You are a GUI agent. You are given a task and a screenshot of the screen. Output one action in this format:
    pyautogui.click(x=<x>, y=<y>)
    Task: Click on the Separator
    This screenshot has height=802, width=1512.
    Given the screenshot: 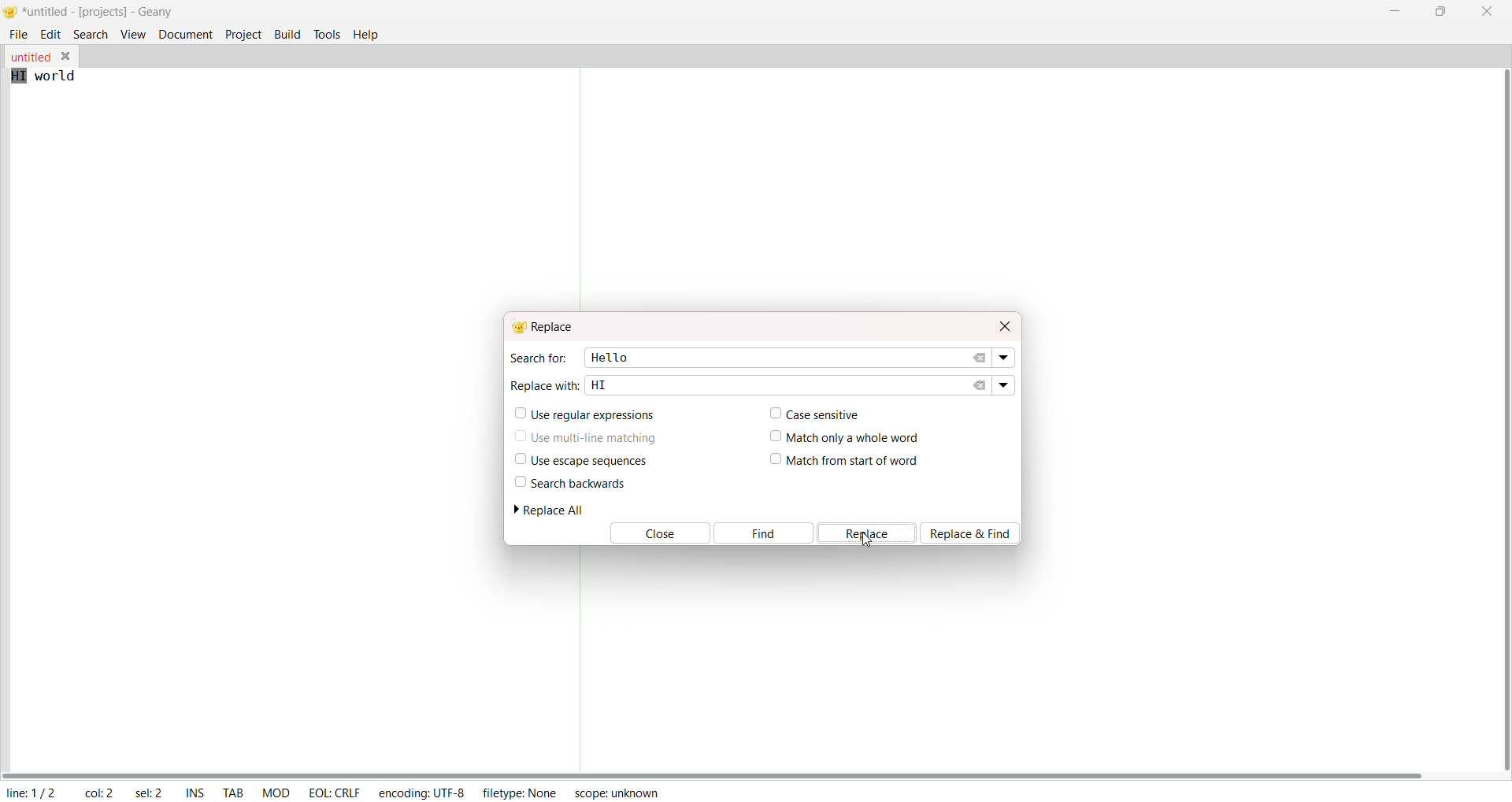 What is the action you would take?
    pyautogui.click(x=583, y=190)
    